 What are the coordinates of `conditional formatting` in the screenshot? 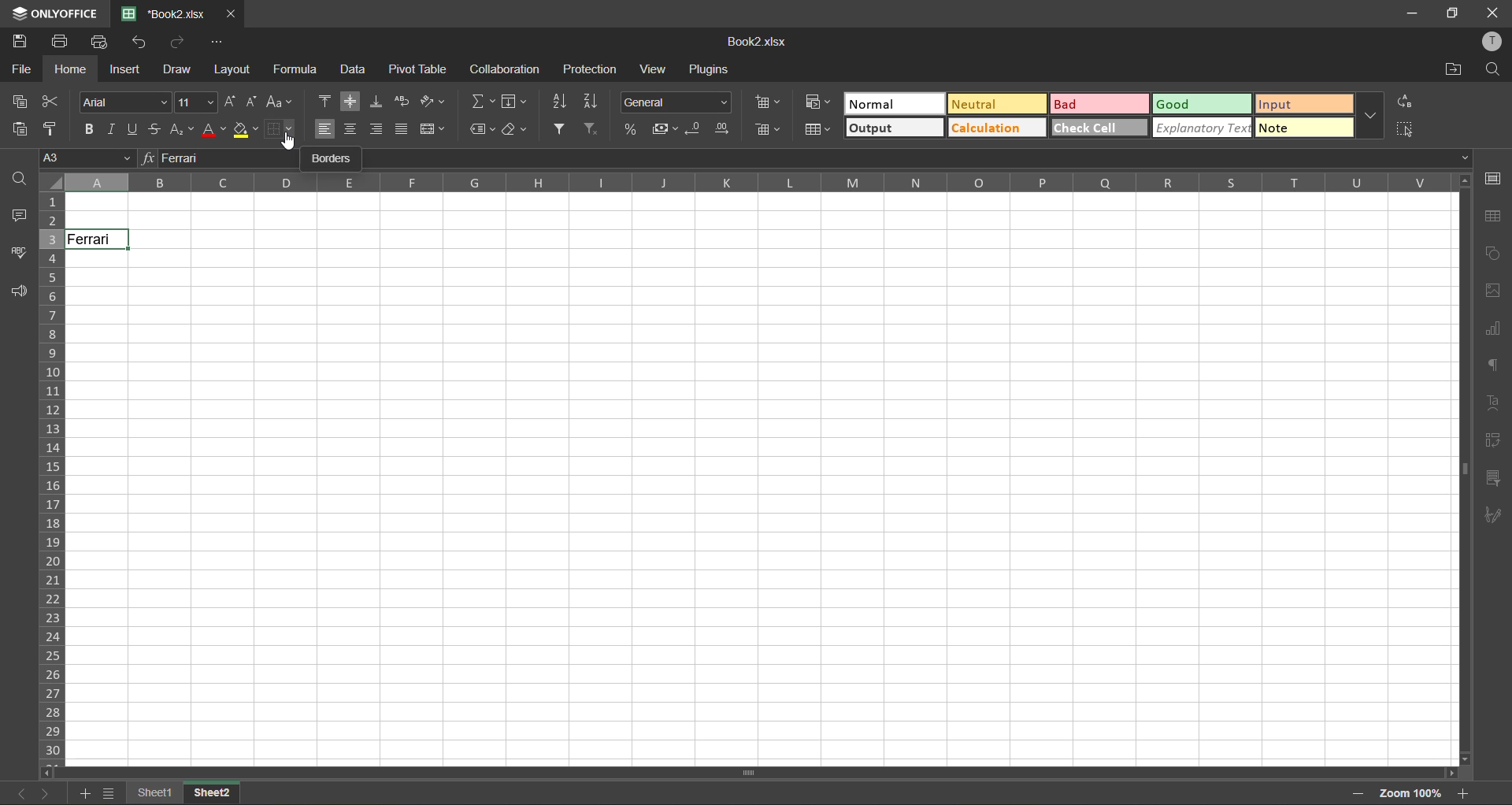 It's located at (820, 103).